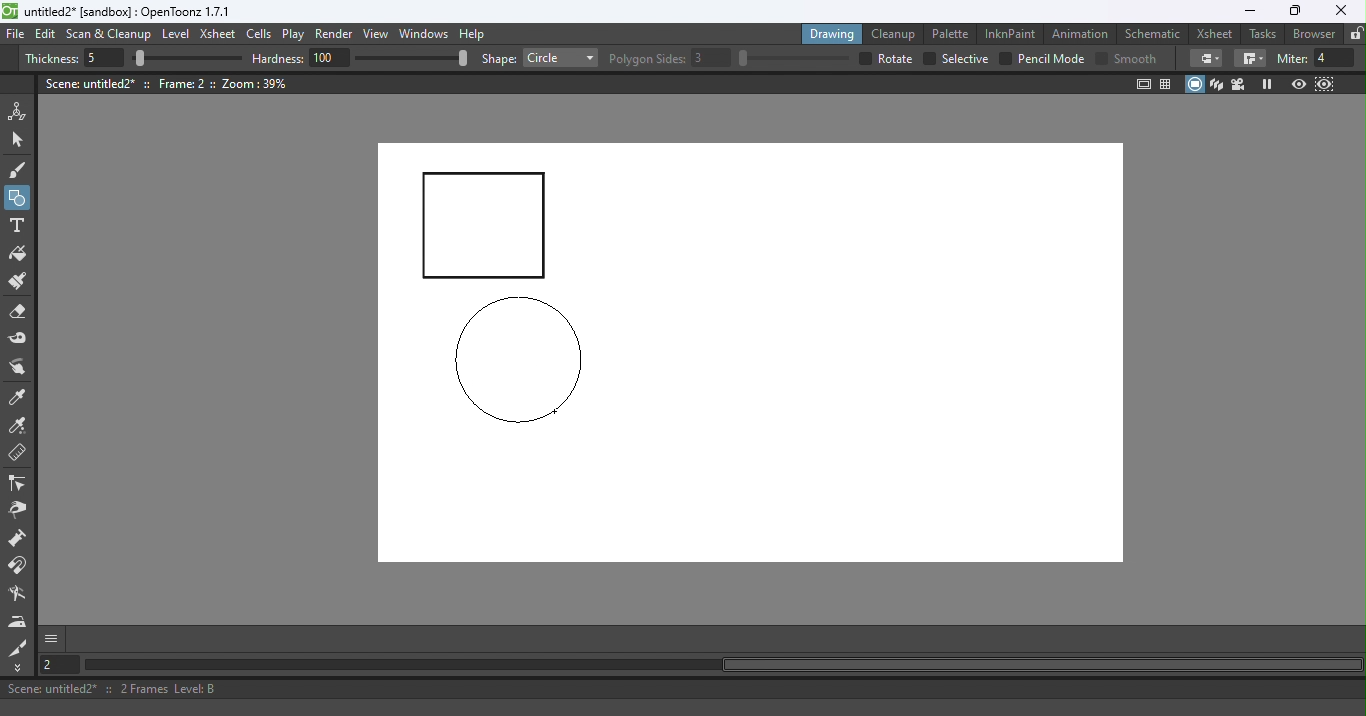  Describe the element at coordinates (101, 59) in the screenshot. I see `5` at that location.